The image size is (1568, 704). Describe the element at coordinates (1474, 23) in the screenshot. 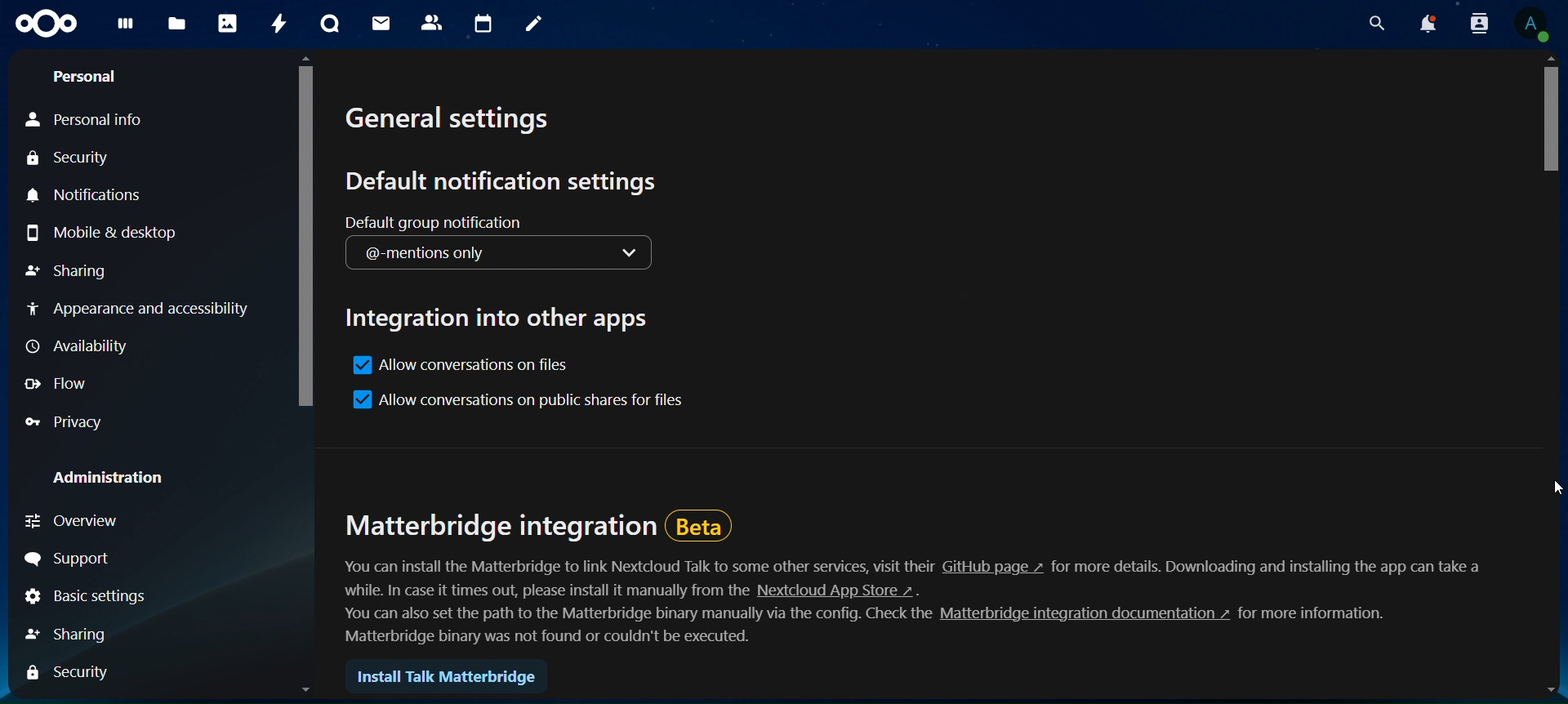

I see `search contacts` at that location.